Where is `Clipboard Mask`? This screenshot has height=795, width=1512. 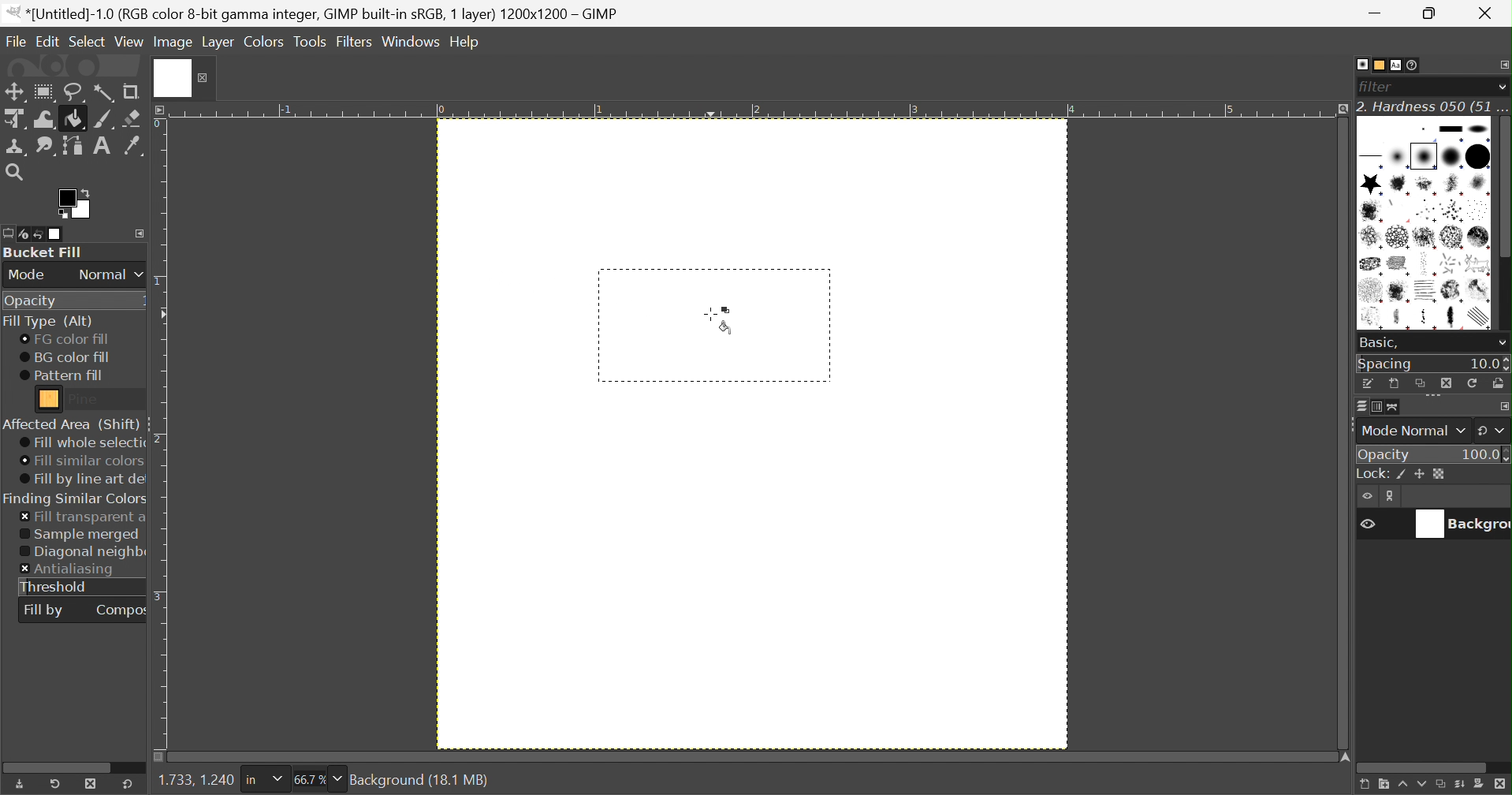 Clipboard Mask is located at coordinates (1403, 130).